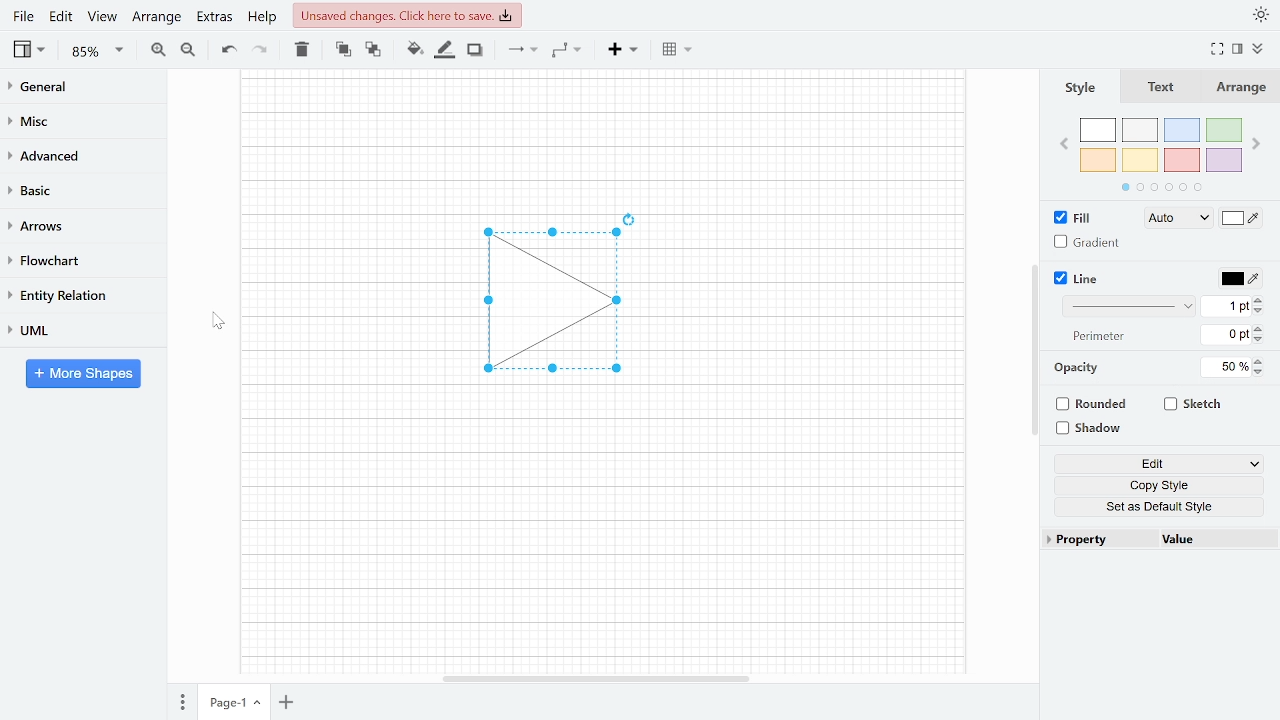 This screenshot has width=1280, height=720. What do you see at coordinates (1223, 160) in the screenshot?
I see `violet` at bounding box center [1223, 160].